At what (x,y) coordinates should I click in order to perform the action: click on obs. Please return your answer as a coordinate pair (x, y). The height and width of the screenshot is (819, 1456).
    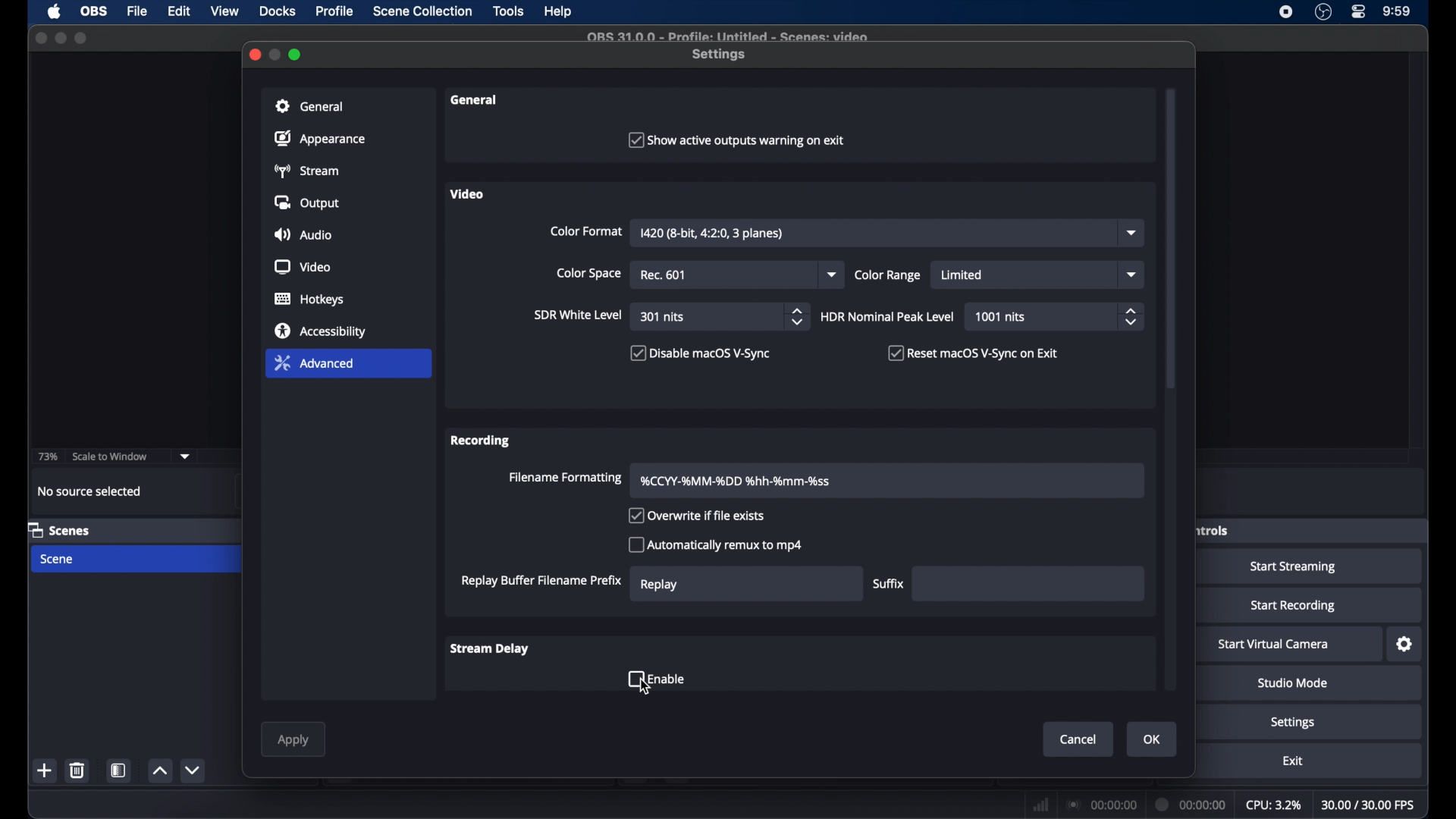
    Looking at the image, I should click on (93, 11).